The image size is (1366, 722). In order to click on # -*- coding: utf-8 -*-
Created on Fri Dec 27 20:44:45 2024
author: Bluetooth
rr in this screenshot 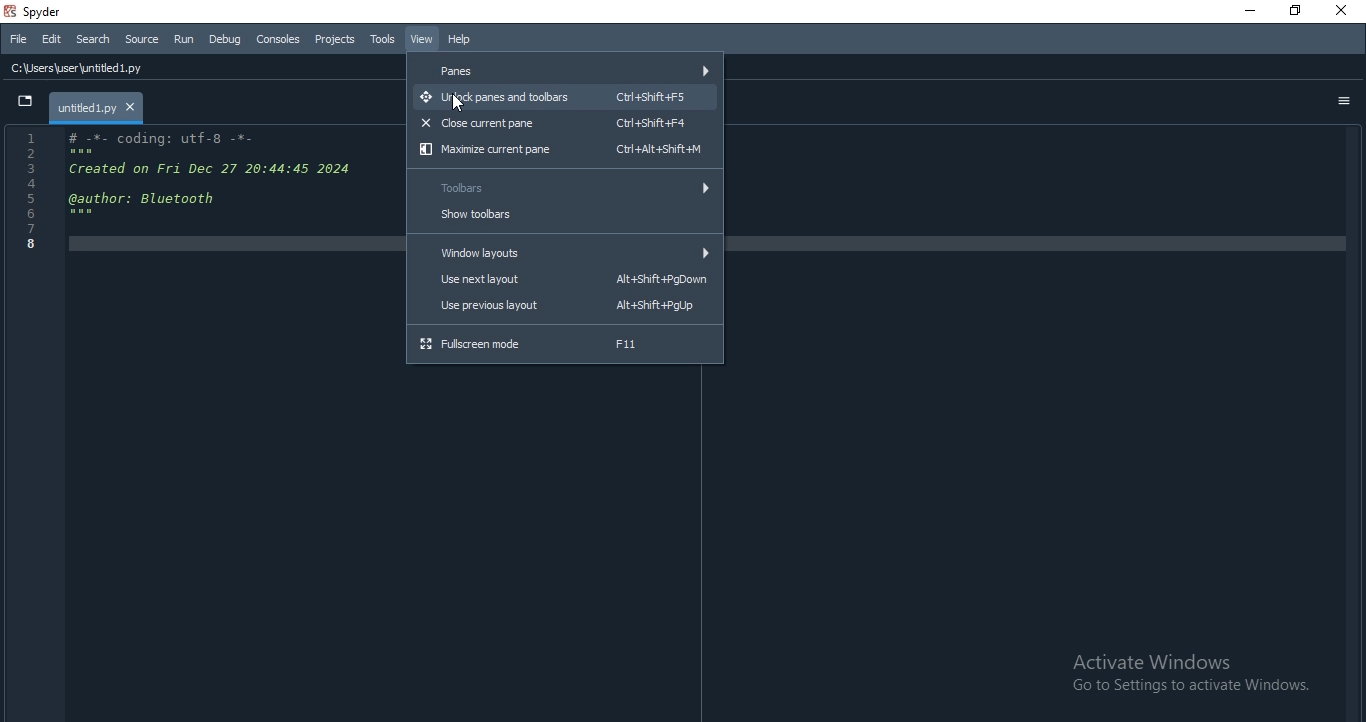, I will do `click(196, 192)`.